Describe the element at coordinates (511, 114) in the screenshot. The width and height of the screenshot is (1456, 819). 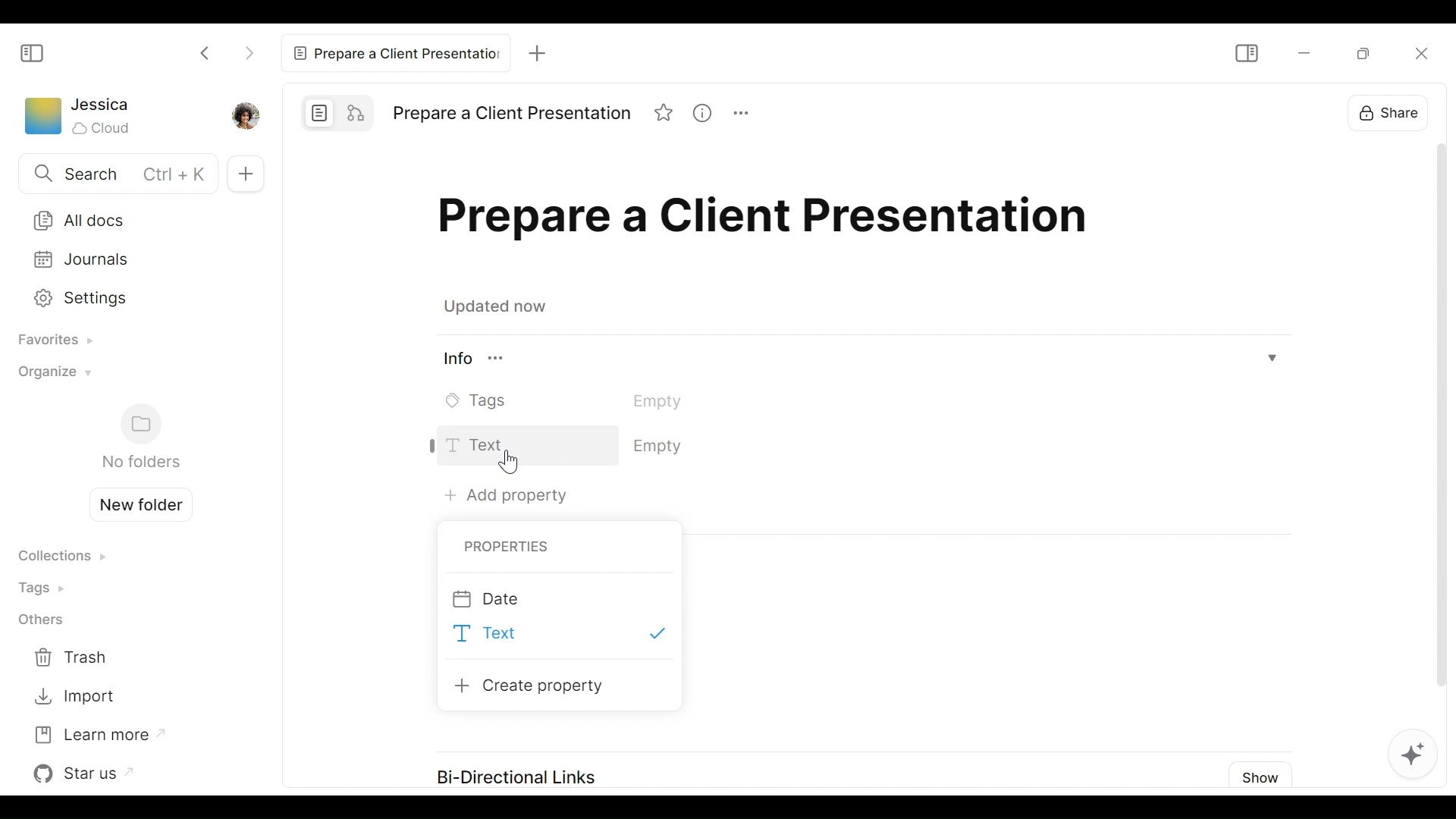
I see `Title` at that location.